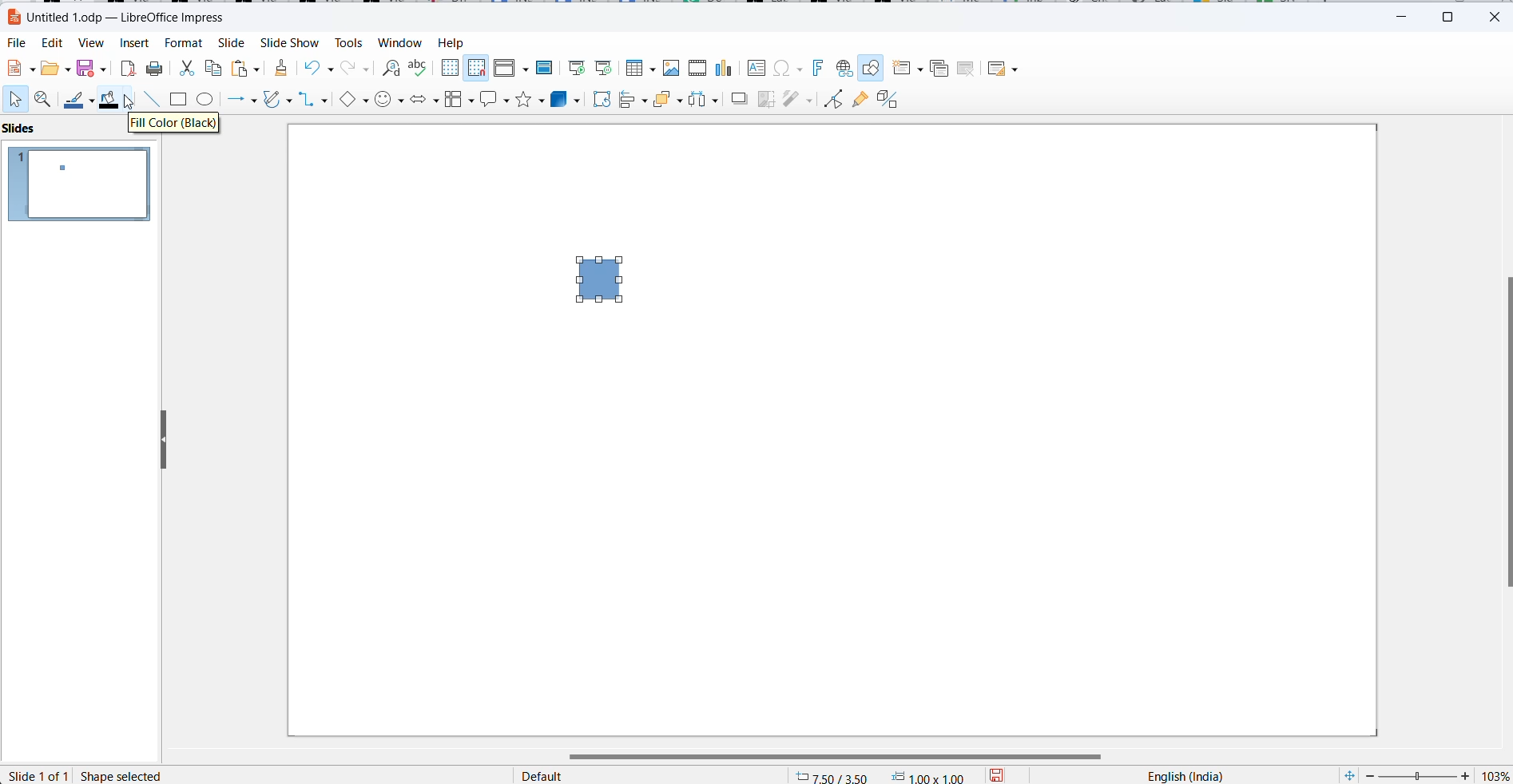 This screenshot has width=1513, height=784. Describe the element at coordinates (130, 105) in the screenshot. I see `cursor` at that location.